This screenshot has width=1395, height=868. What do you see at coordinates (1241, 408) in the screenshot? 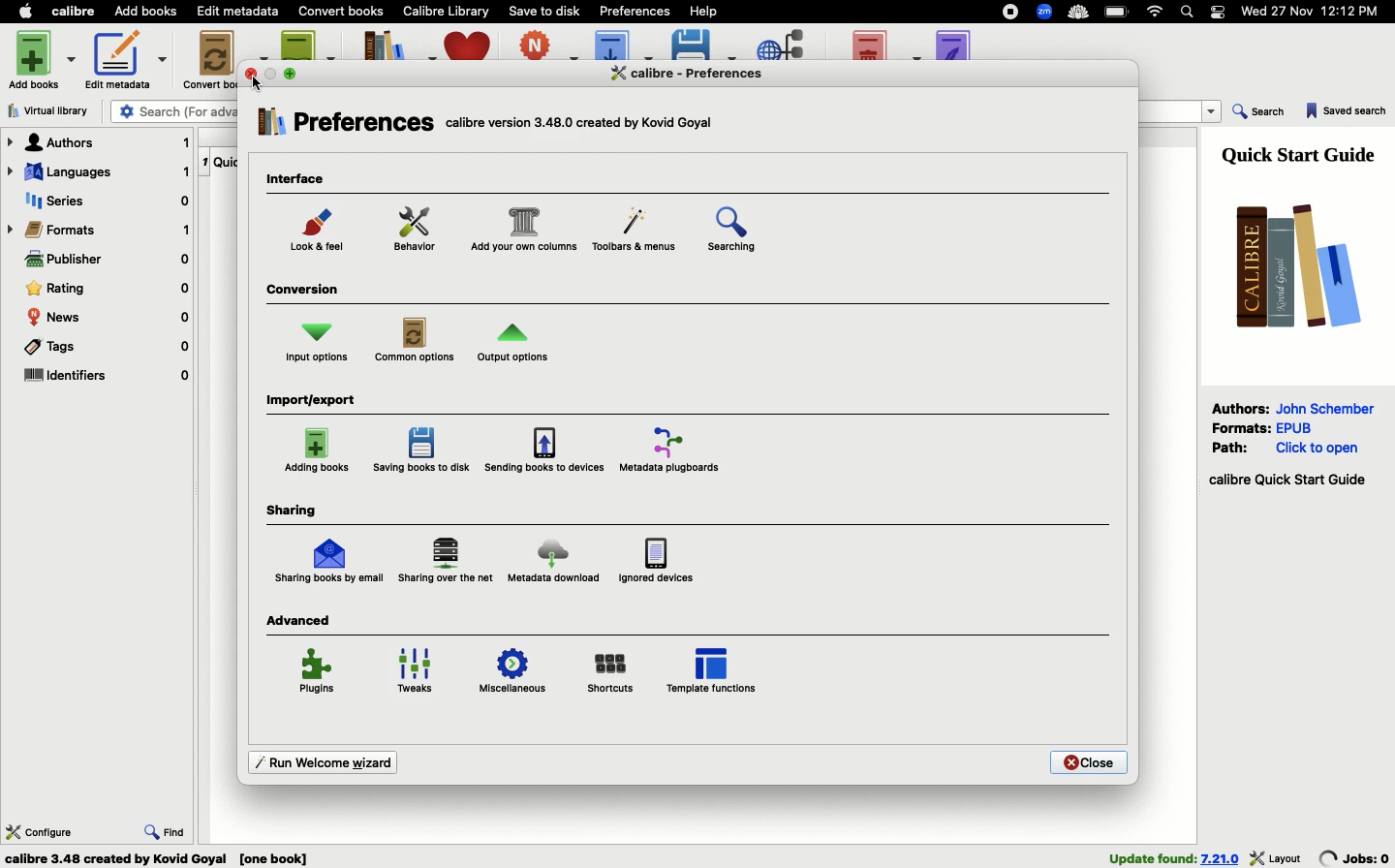
I see `Authors` at bounding box center [1241, 408].